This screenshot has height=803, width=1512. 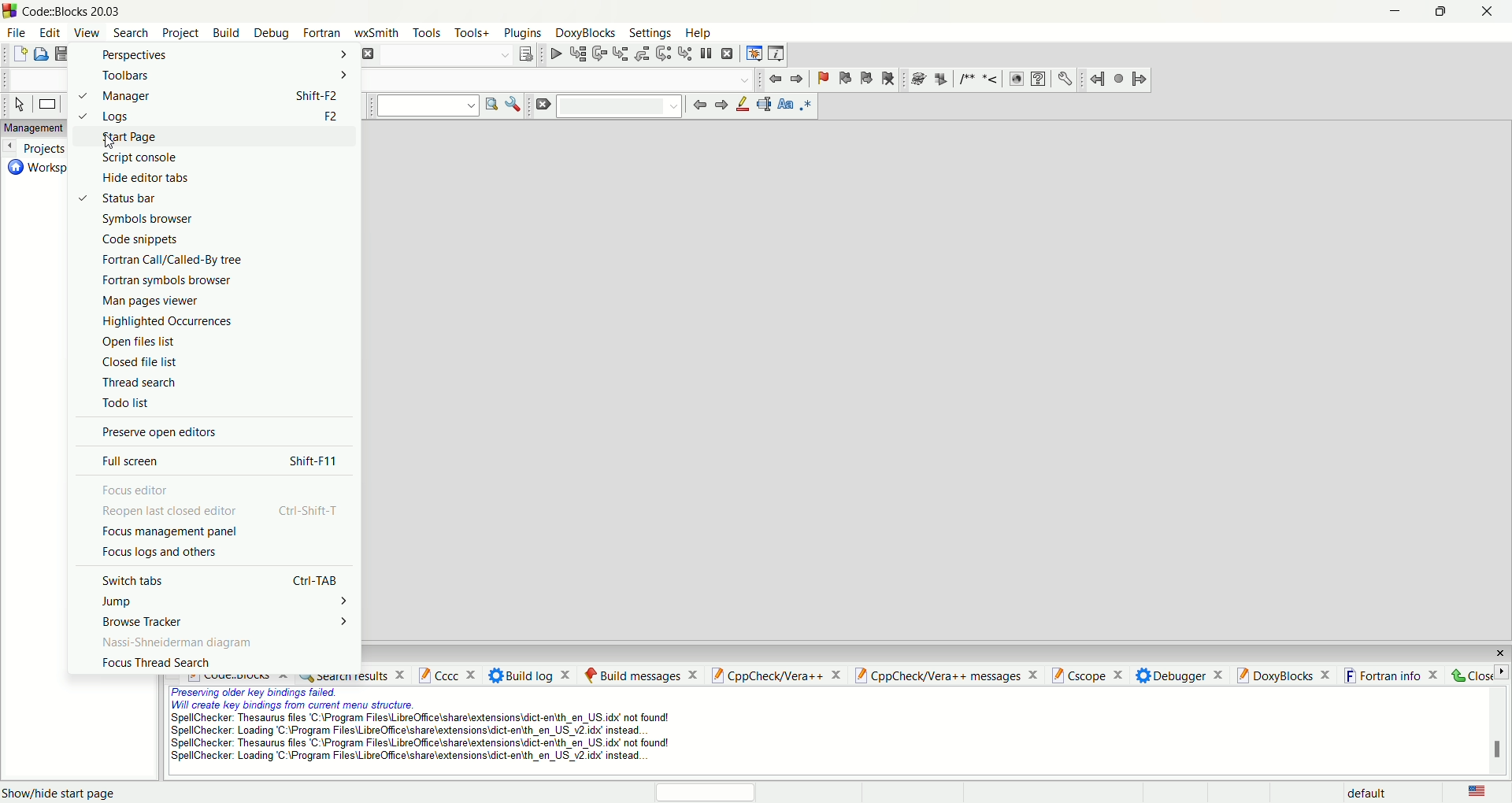 What do you see at coordinates (774, 675) in the screenshot?
I see `Cppcheck/vera++` at bounding box center [774, 675].